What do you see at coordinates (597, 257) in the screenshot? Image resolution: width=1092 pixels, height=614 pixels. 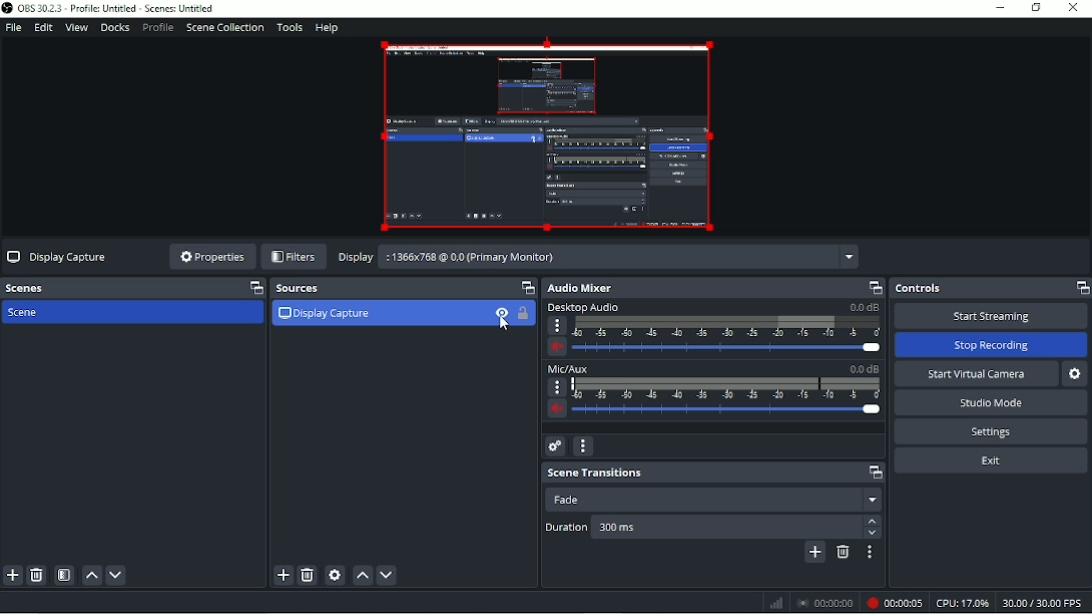 I see `Display` at bounding box center [597, 257].